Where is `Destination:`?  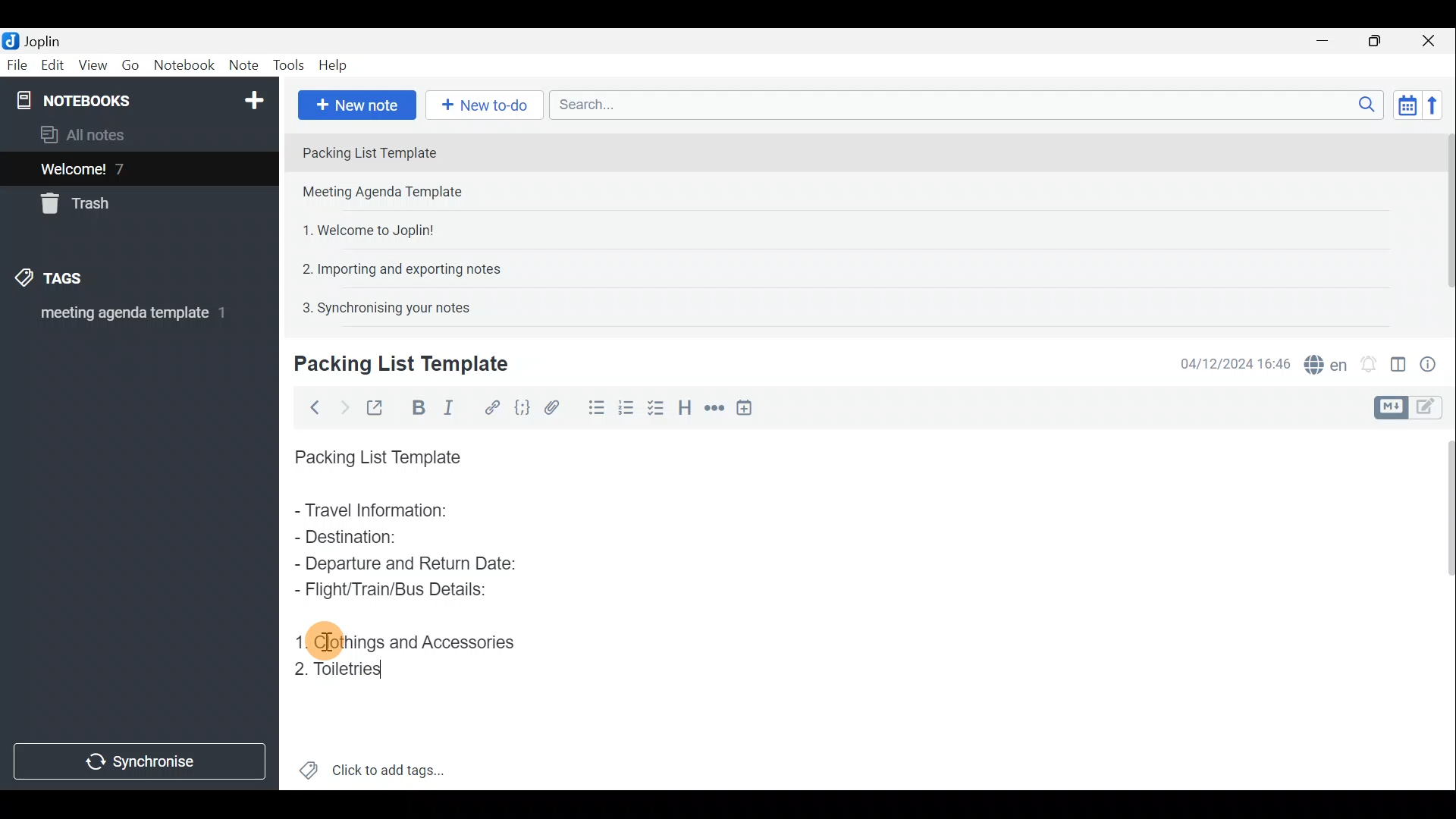
Destination: is located at coordinates (385, 538).